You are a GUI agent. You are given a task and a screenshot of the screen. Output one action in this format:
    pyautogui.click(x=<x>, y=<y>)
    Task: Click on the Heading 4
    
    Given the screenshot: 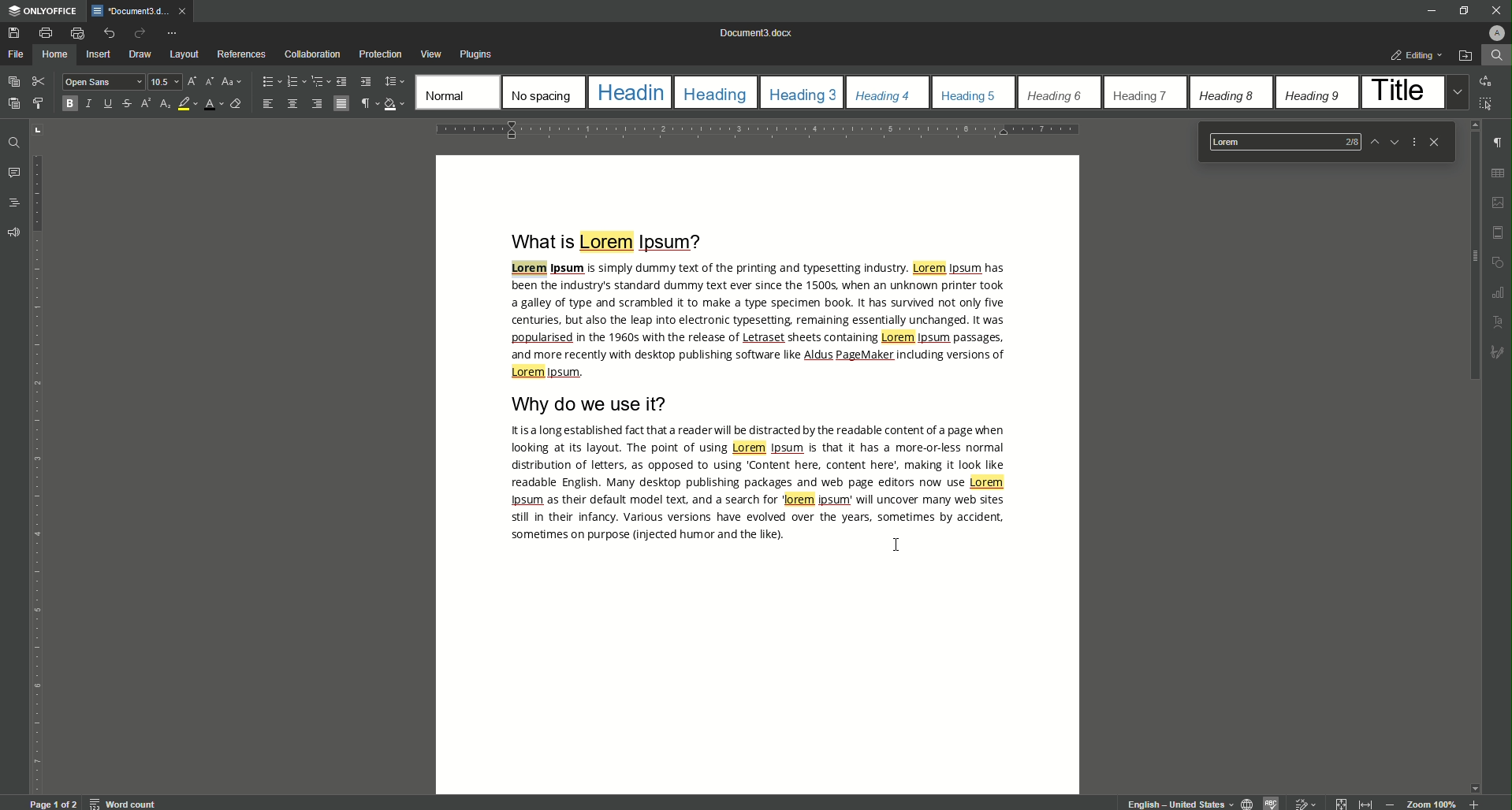 What is the action you would take?
    pyautogui.click(x=883, y=94)
    